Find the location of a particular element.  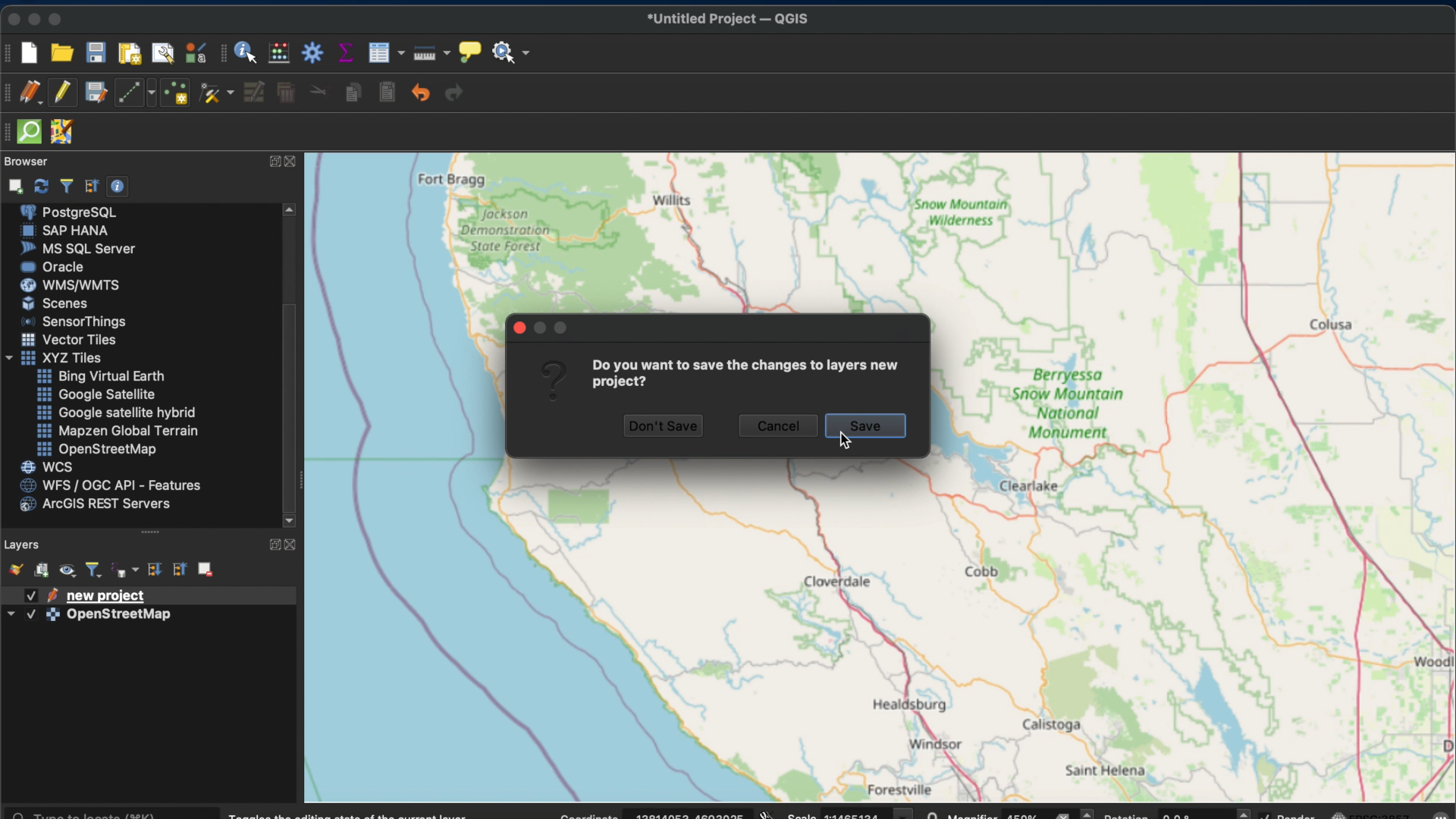

show statistical summary is located at coordinates (345, 52).